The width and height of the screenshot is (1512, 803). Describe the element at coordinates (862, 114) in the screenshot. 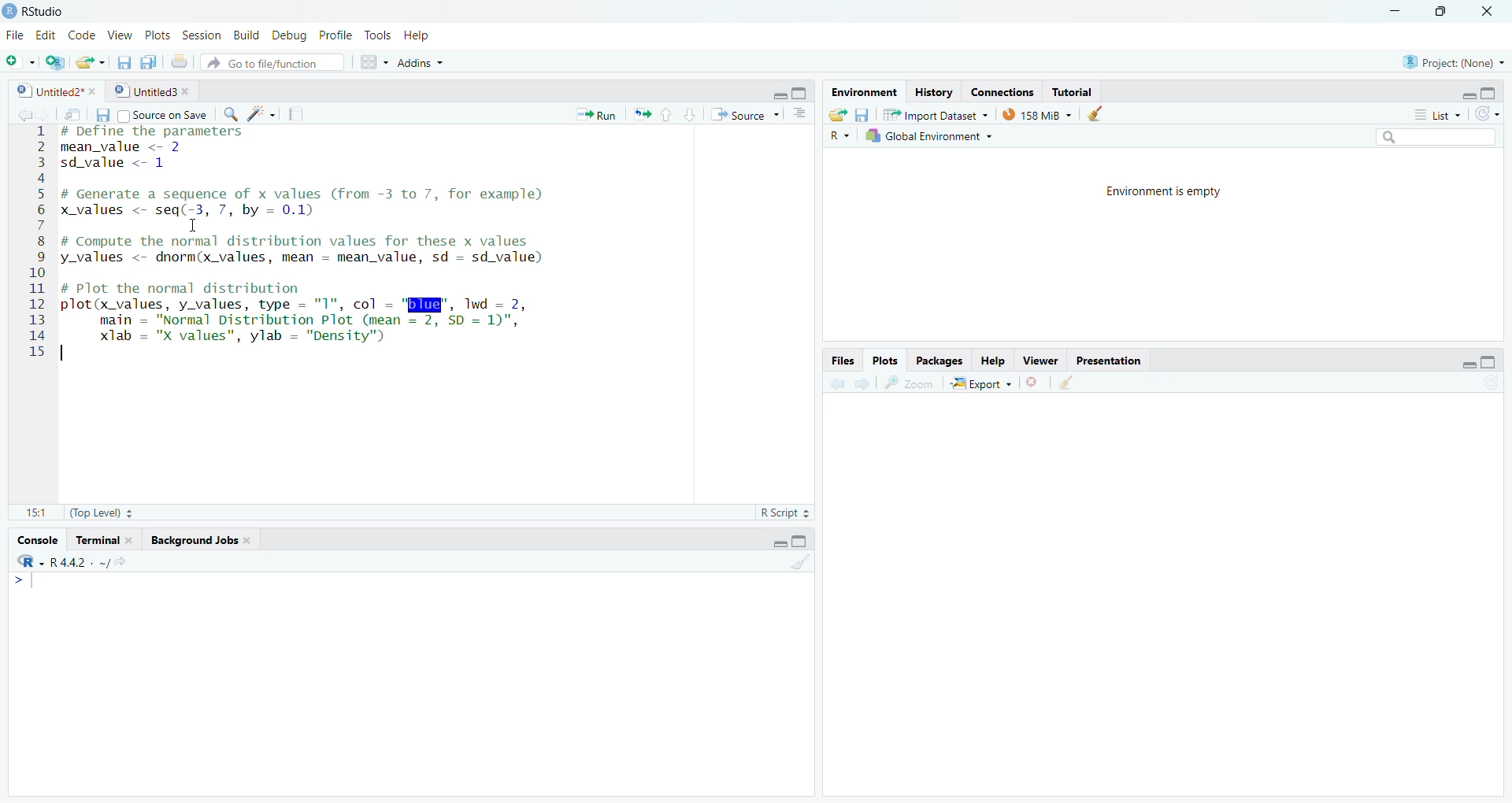

I see `` at that location.